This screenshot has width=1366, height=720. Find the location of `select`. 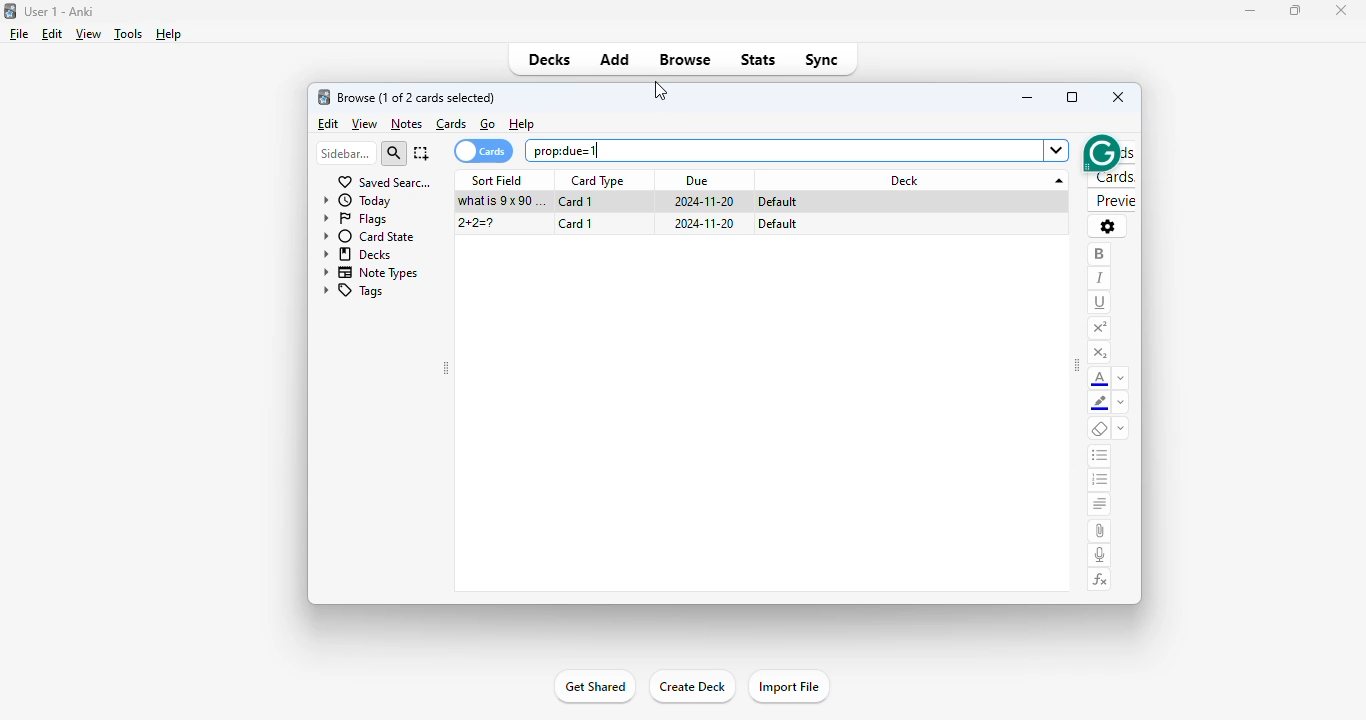

select is located at coordinates (422, 154).